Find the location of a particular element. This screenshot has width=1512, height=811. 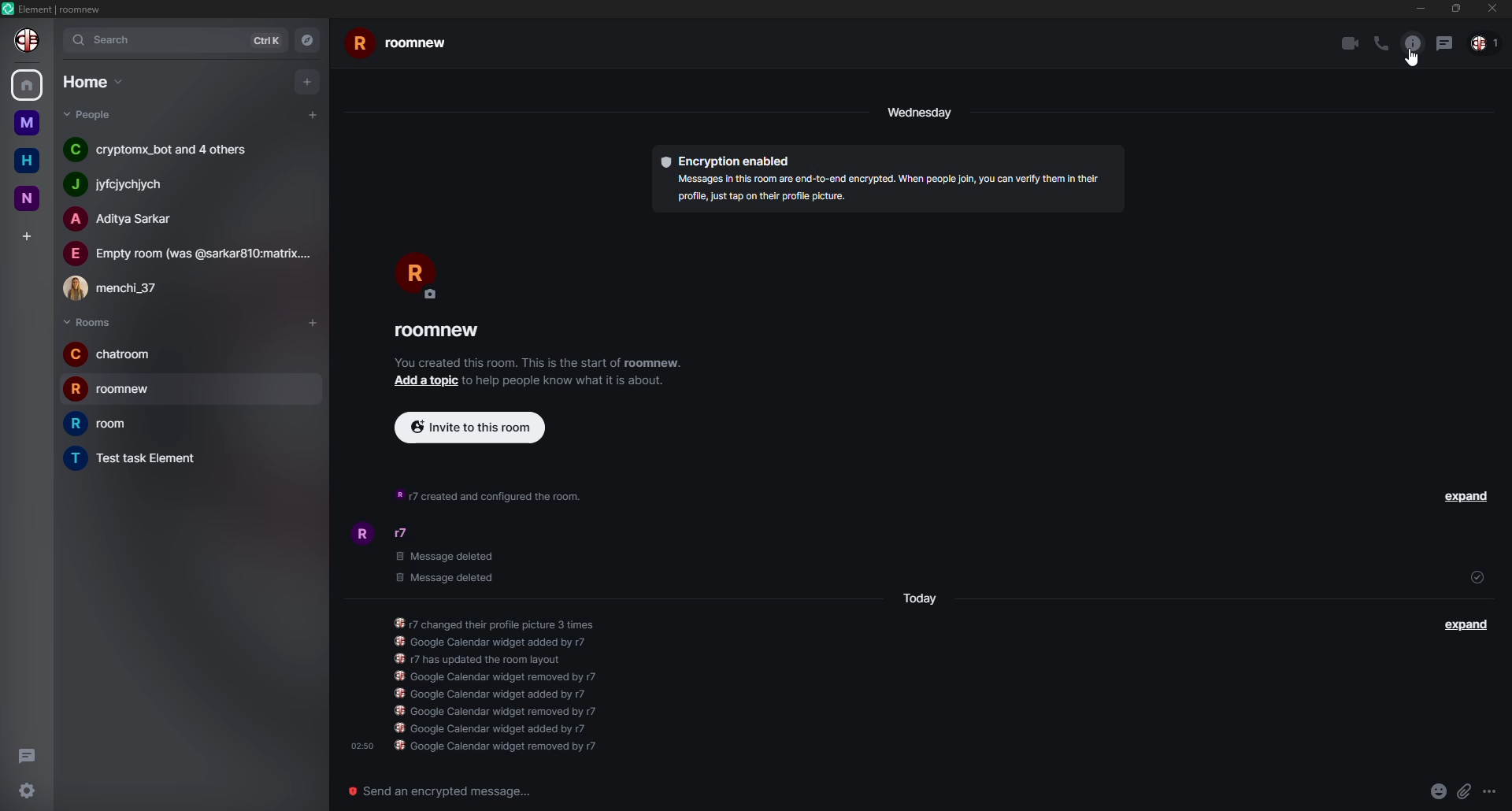

people is located at coordinates (125, 220).